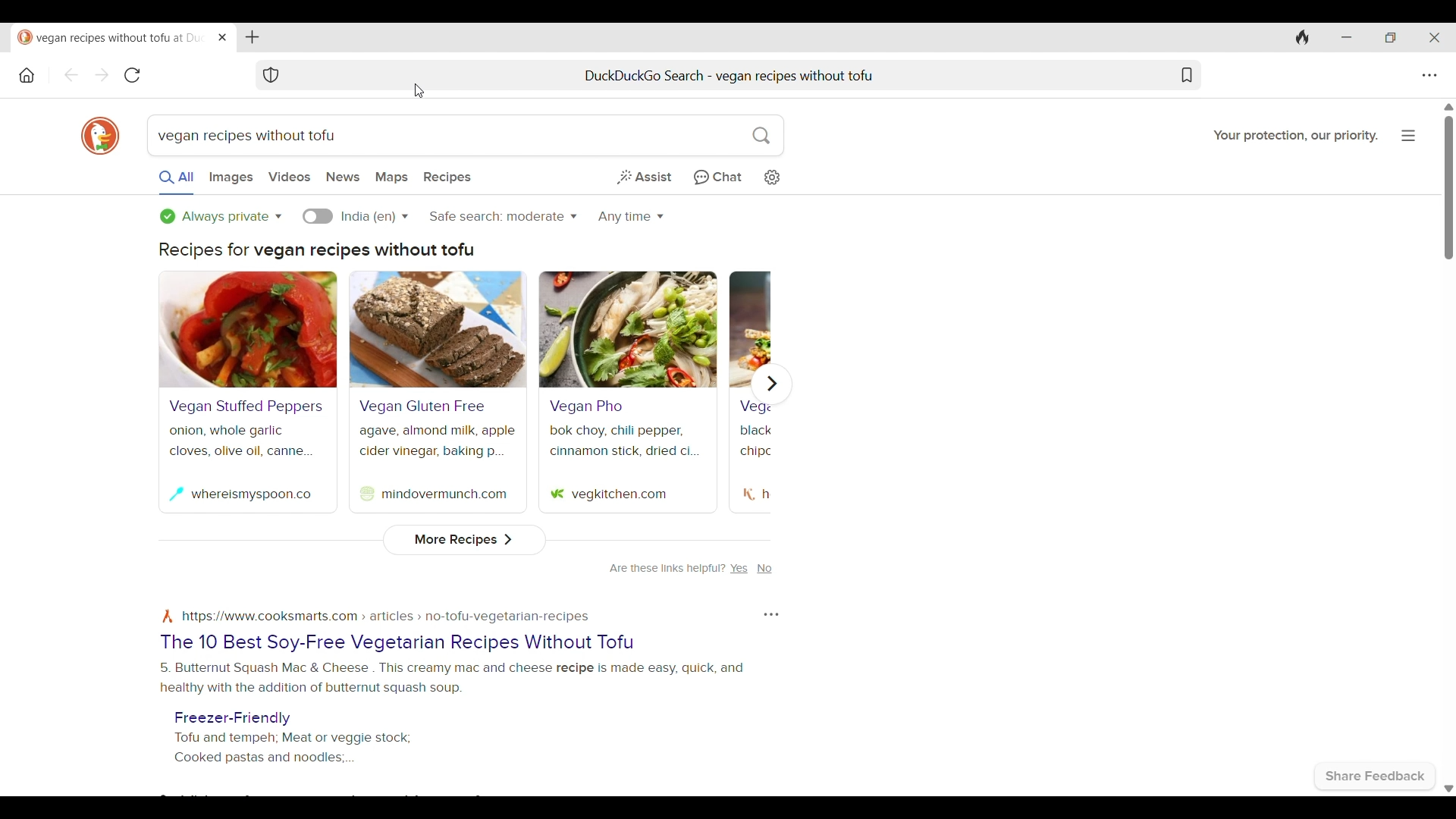  I want to click on Search within specific duration, so click(631, 217).